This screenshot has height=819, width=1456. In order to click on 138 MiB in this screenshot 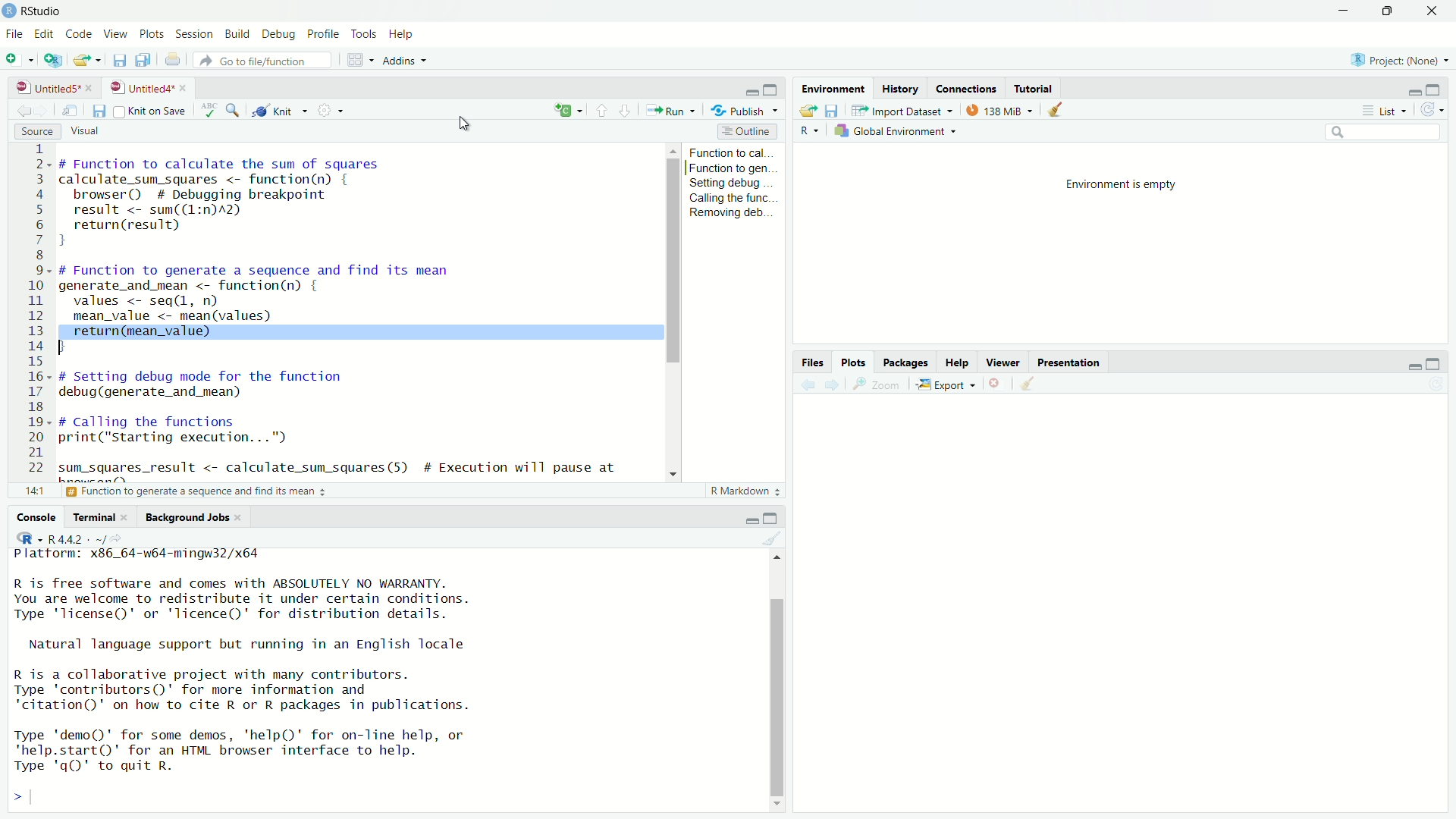, I will do `click(1003, 112)`.